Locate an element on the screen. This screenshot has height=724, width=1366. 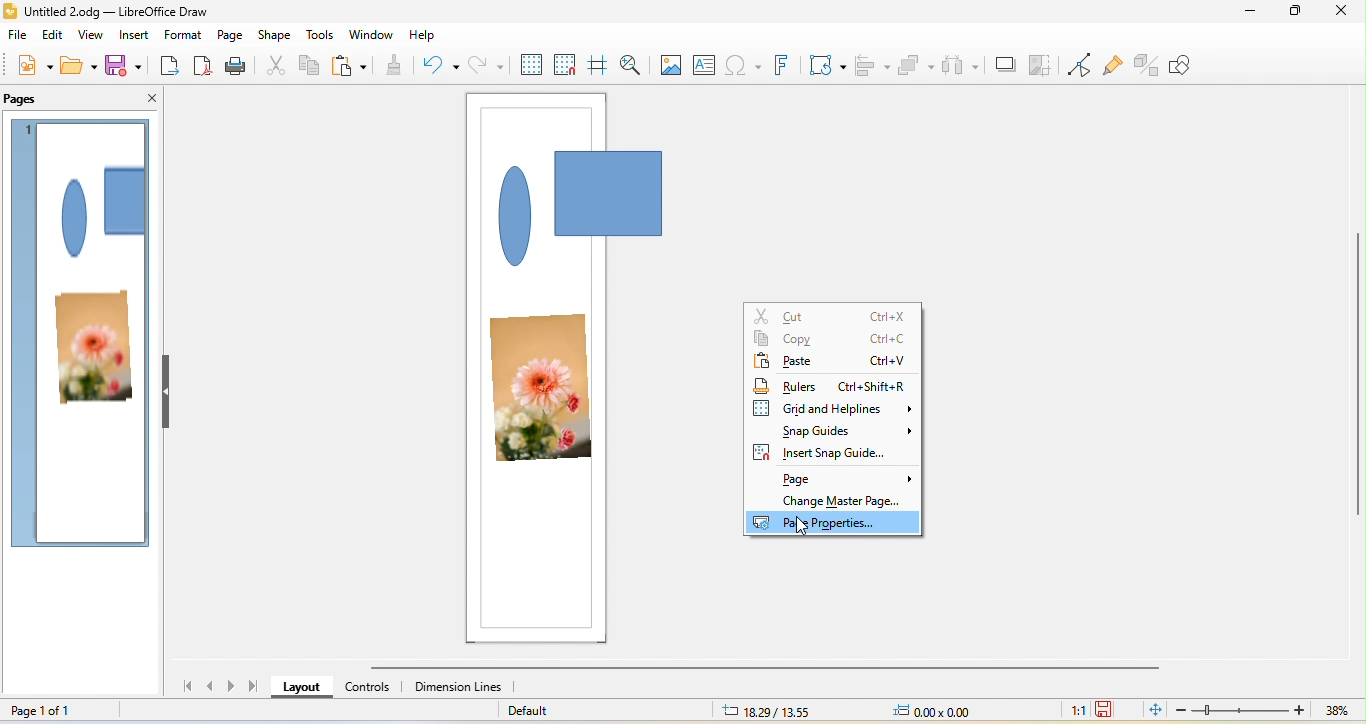
show draw function is located at coordinates (1192, 67).